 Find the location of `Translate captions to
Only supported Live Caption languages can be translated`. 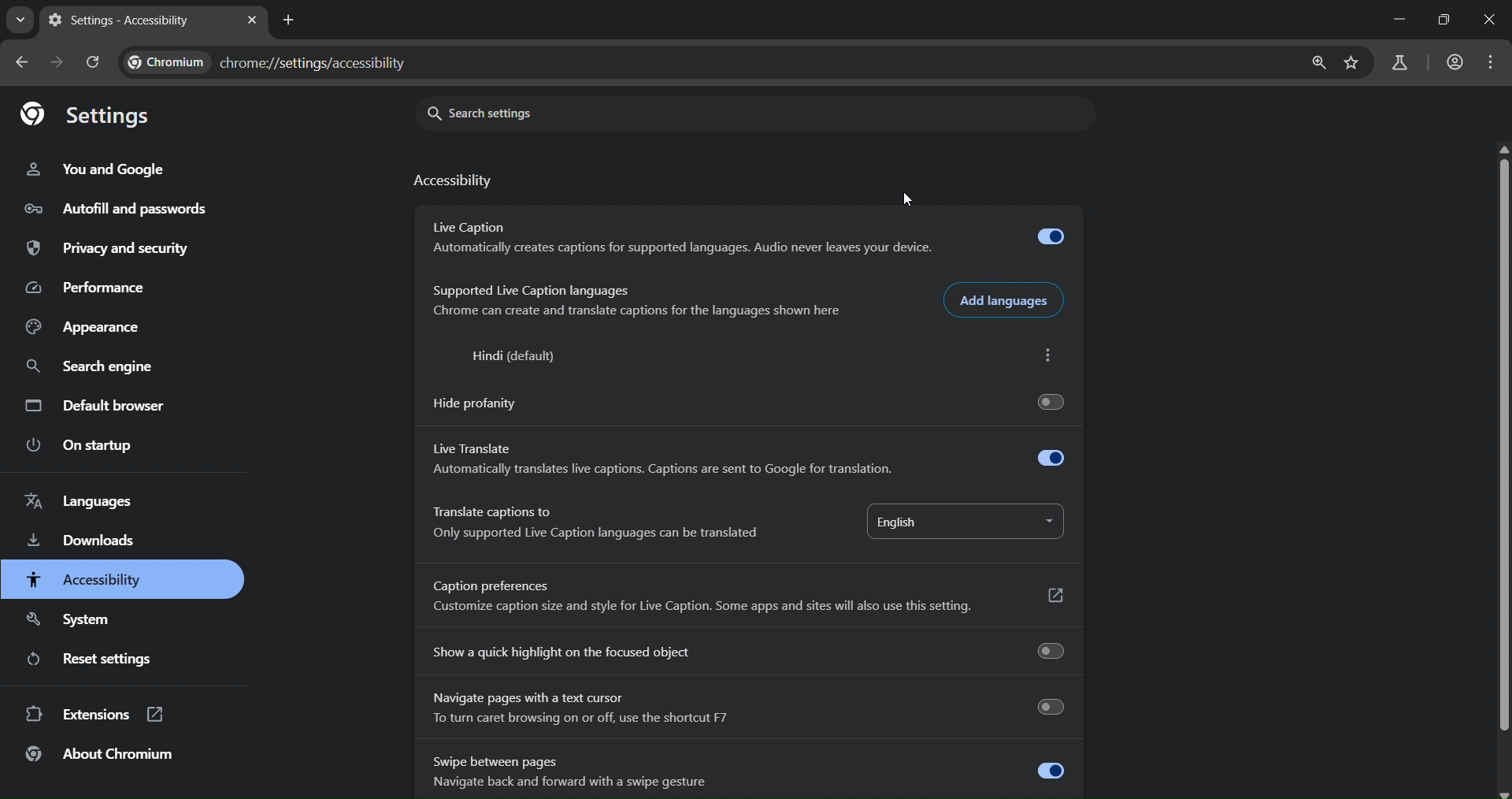

Translate captions to
Only supported Live Caption languages can be translated is located at coordinates (588, 526).